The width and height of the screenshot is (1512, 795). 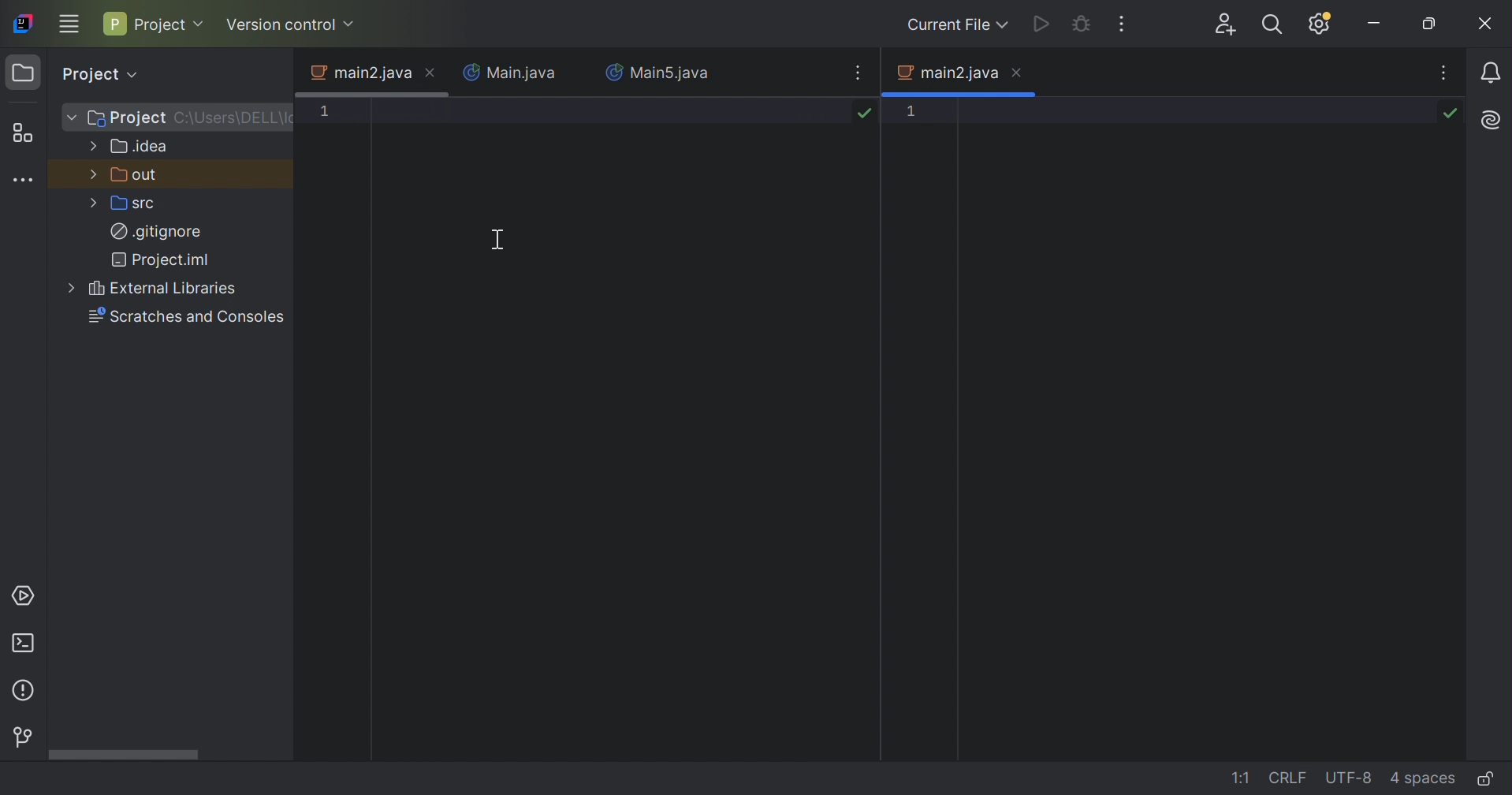 I want to click on Project icon, so click(x=23, y=74).